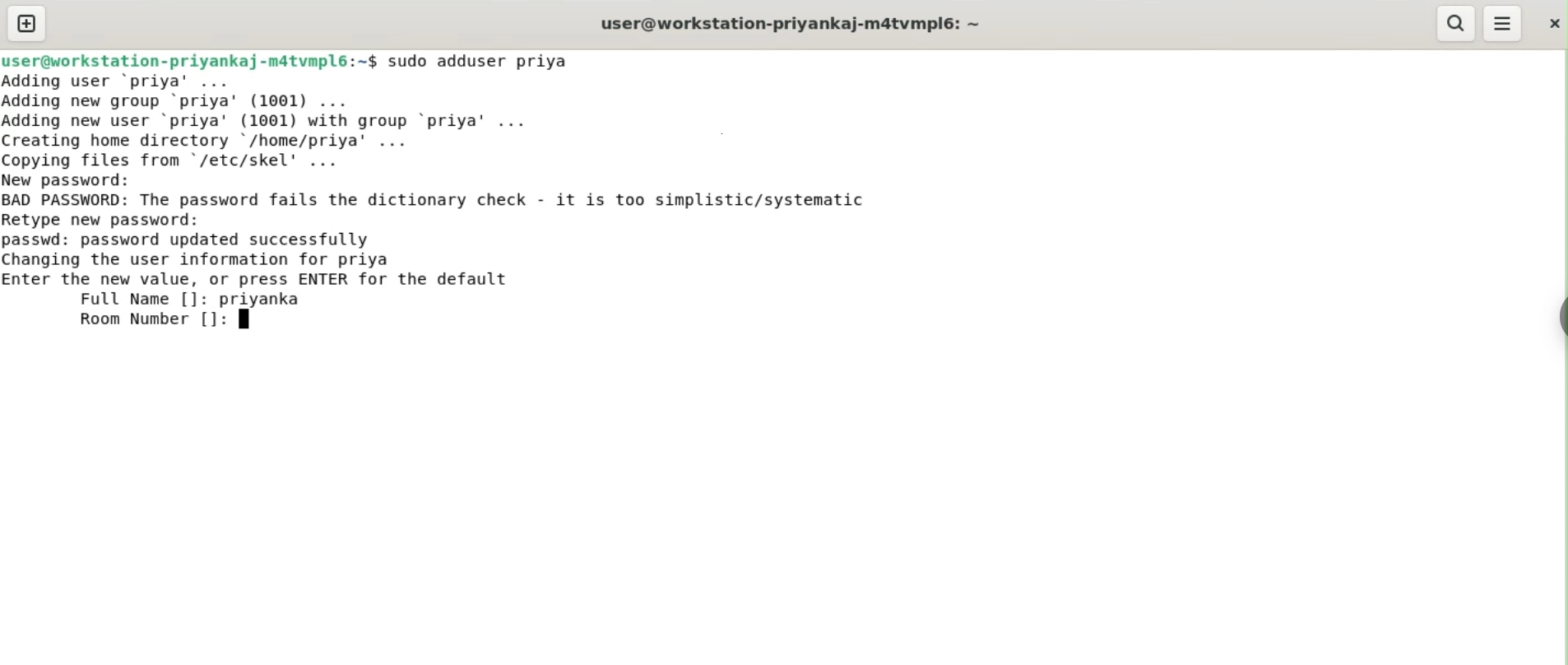 This screenshot has height=665, width=1568. I want to click on sudo adduser priya, so click(480, 61).